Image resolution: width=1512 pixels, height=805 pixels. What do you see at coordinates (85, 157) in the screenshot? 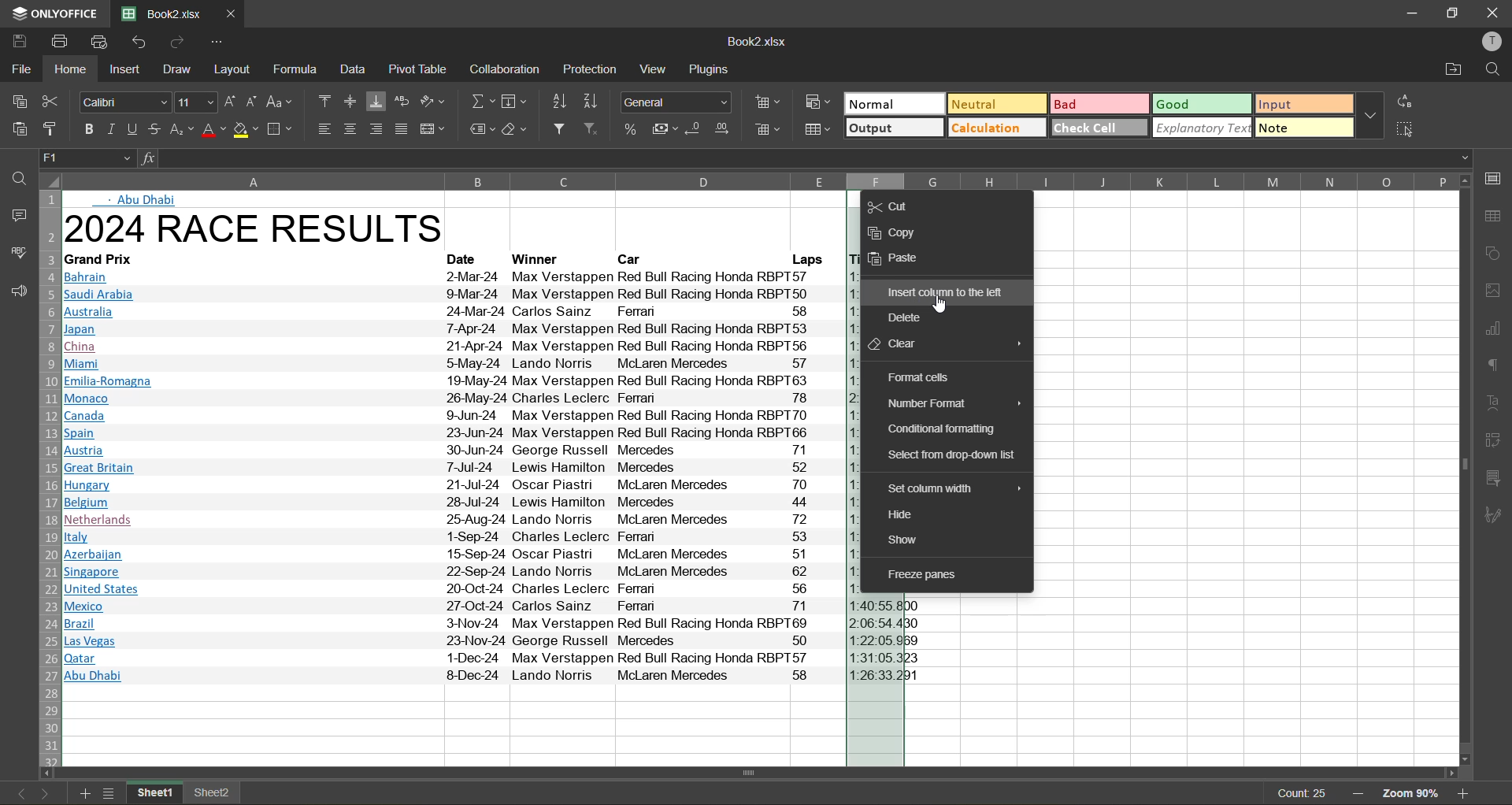
I see `cell address` at bounding box center [85, 157].